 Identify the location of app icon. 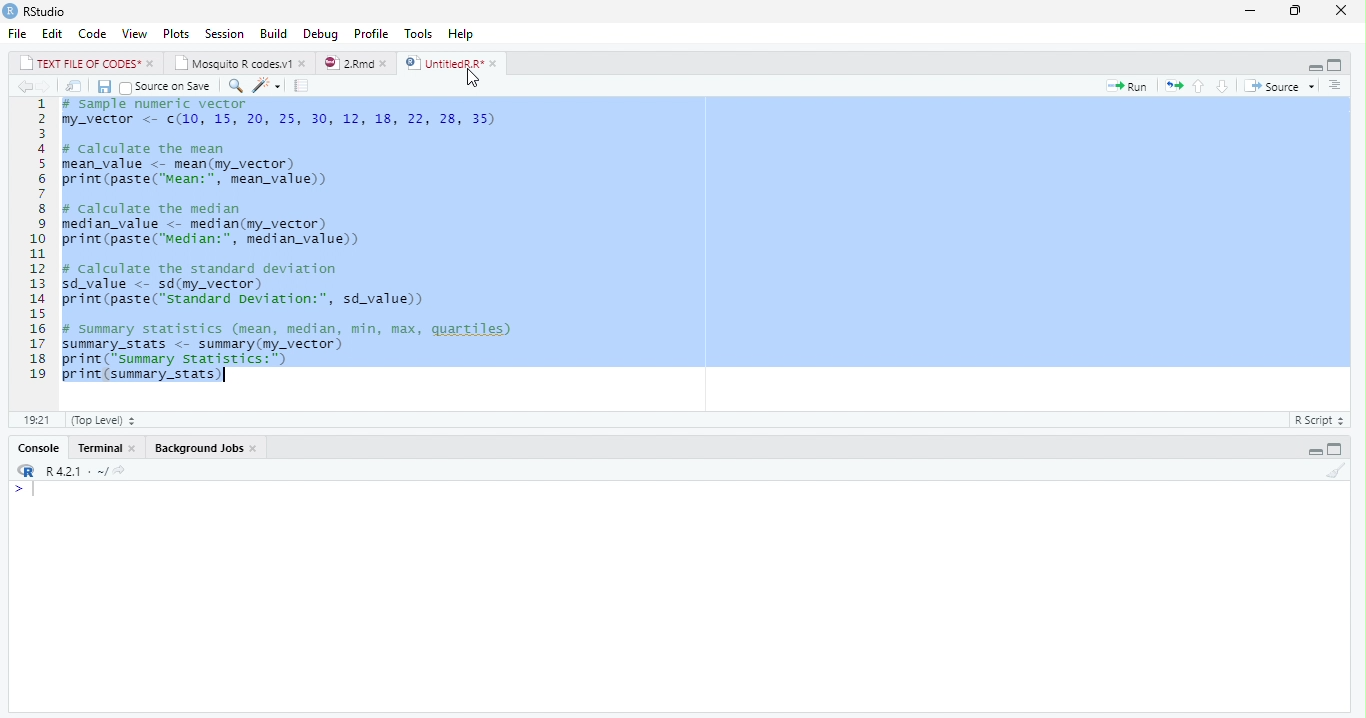
(10, 10).